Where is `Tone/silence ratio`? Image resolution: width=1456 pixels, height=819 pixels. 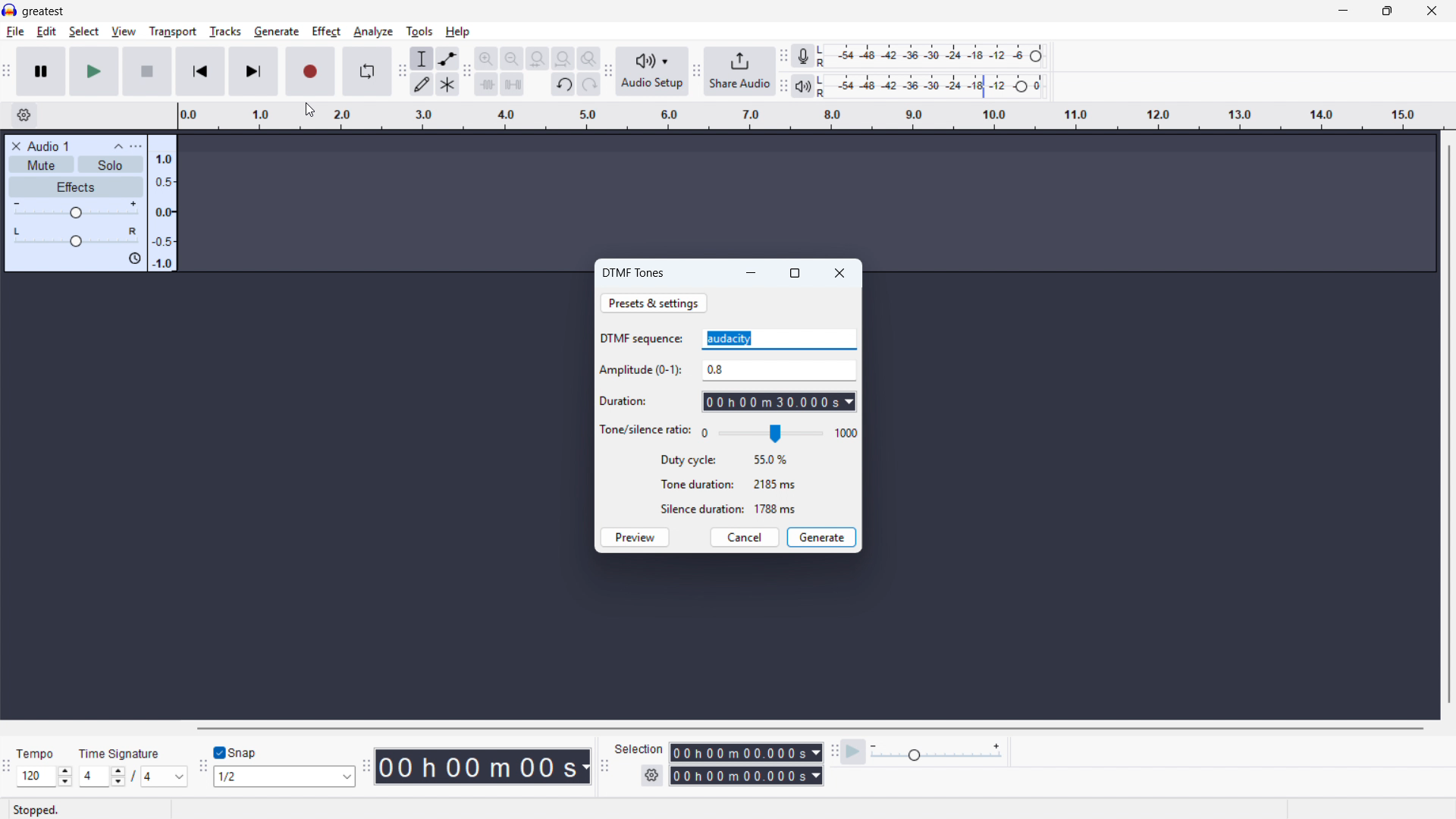 Tone/silence ratio is located at coordinates (779, 434).